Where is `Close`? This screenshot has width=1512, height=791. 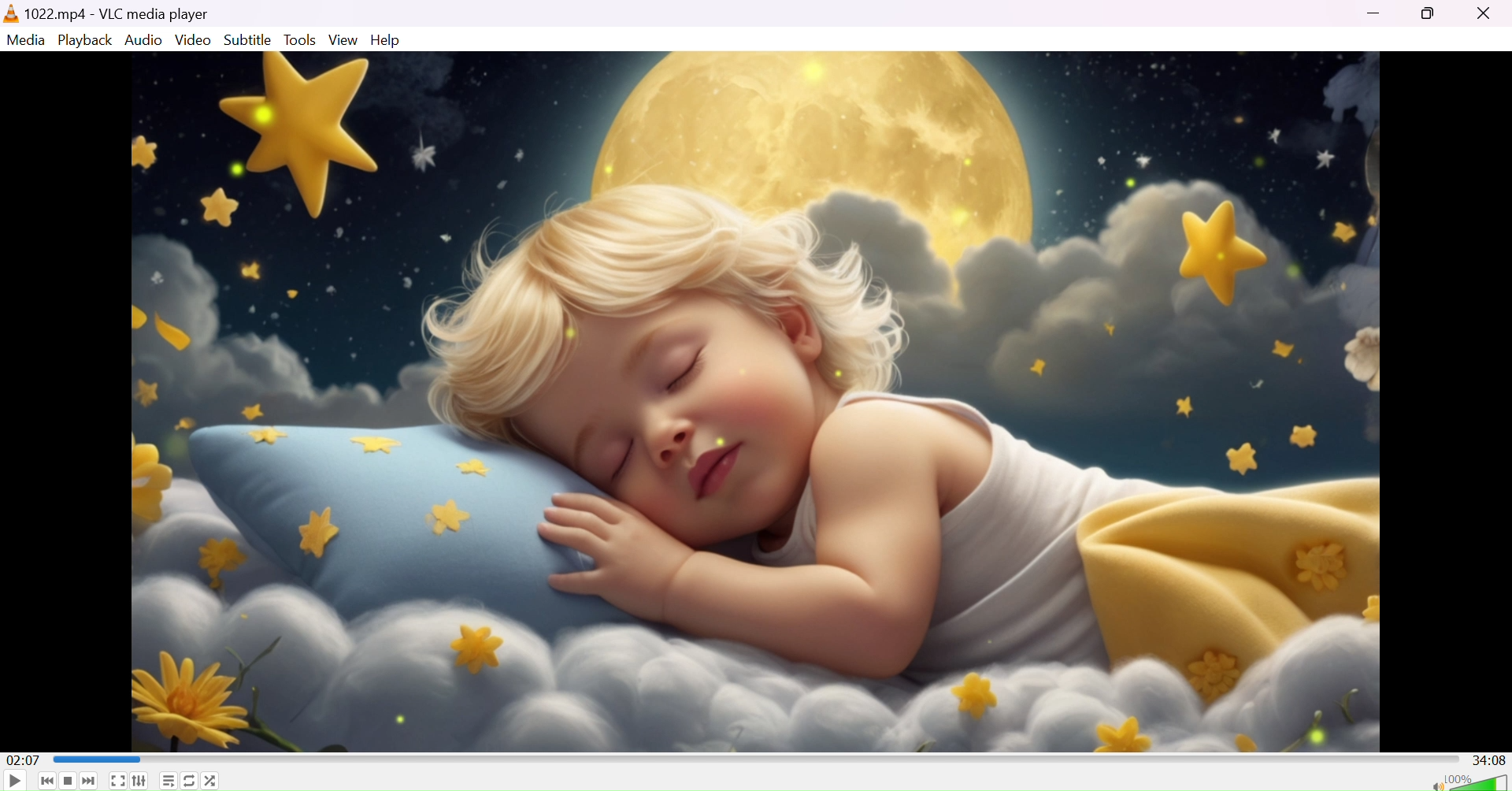
Close is located at coordinates (1490, 13).